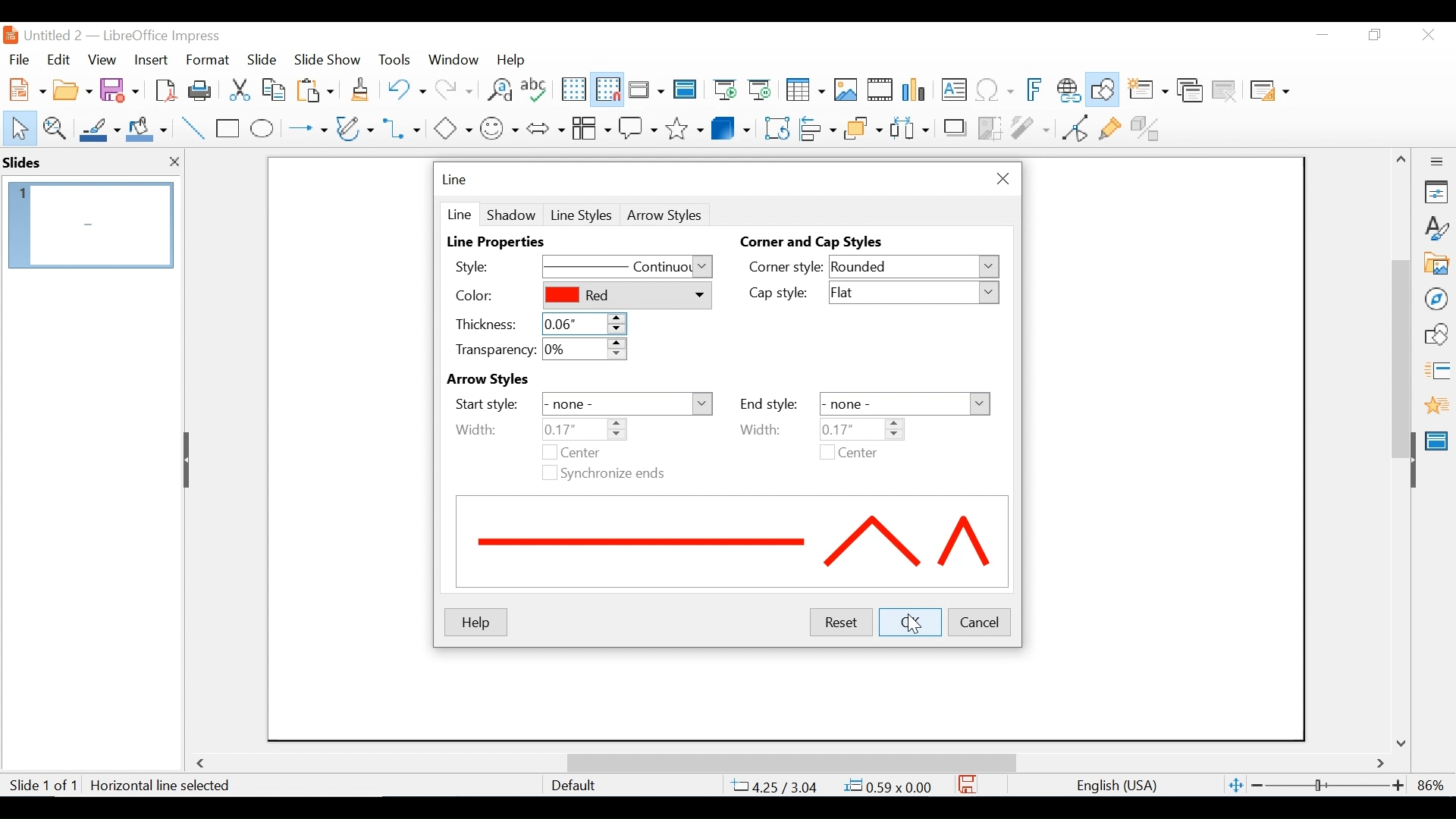 The width and height of the screenshot is (1456, 819). Describe the element at coordinates (1321, 35) in the screenshot. I see `Minimize` at that location.